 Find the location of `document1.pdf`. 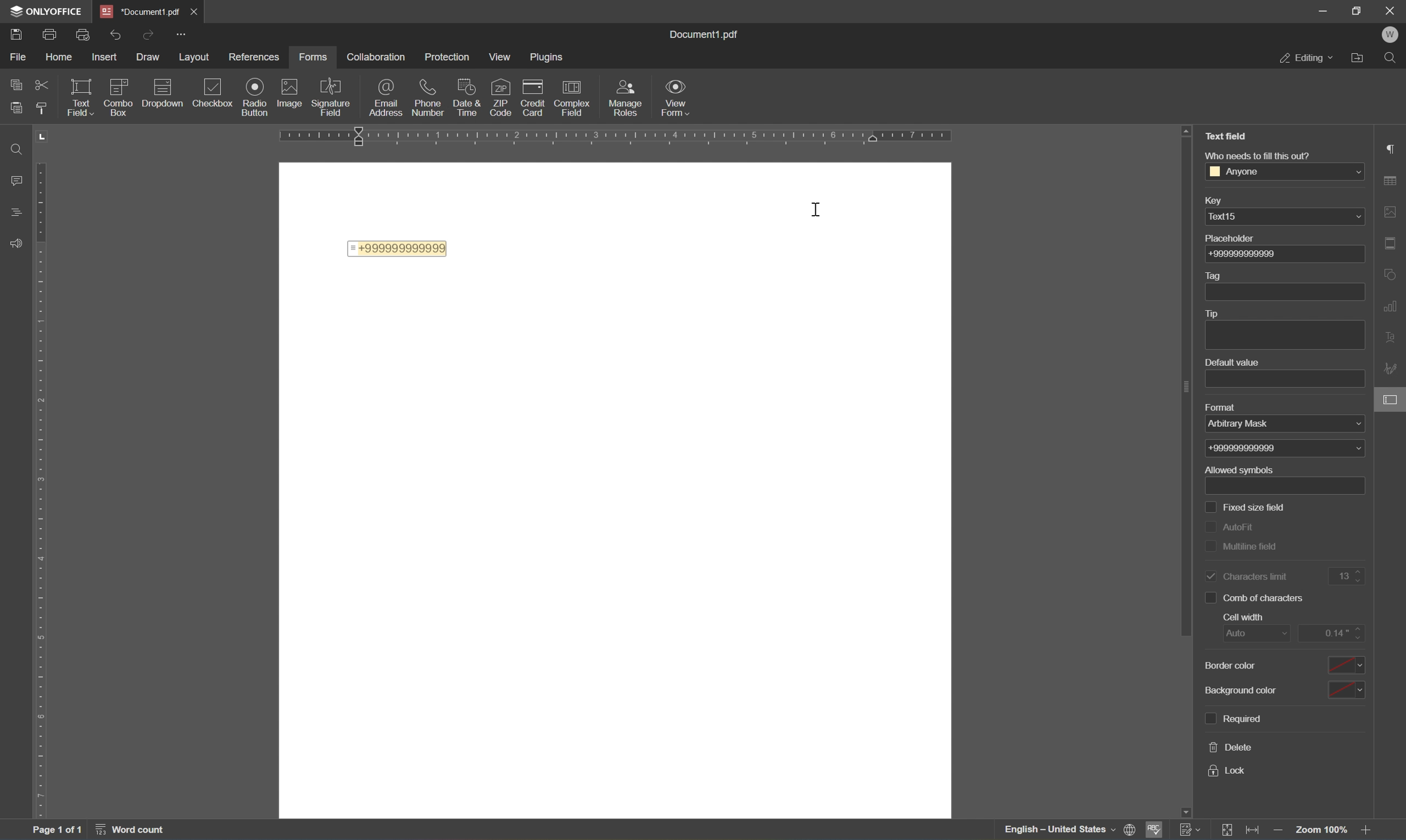

document1.pdf is located at coordinates (137, 10).